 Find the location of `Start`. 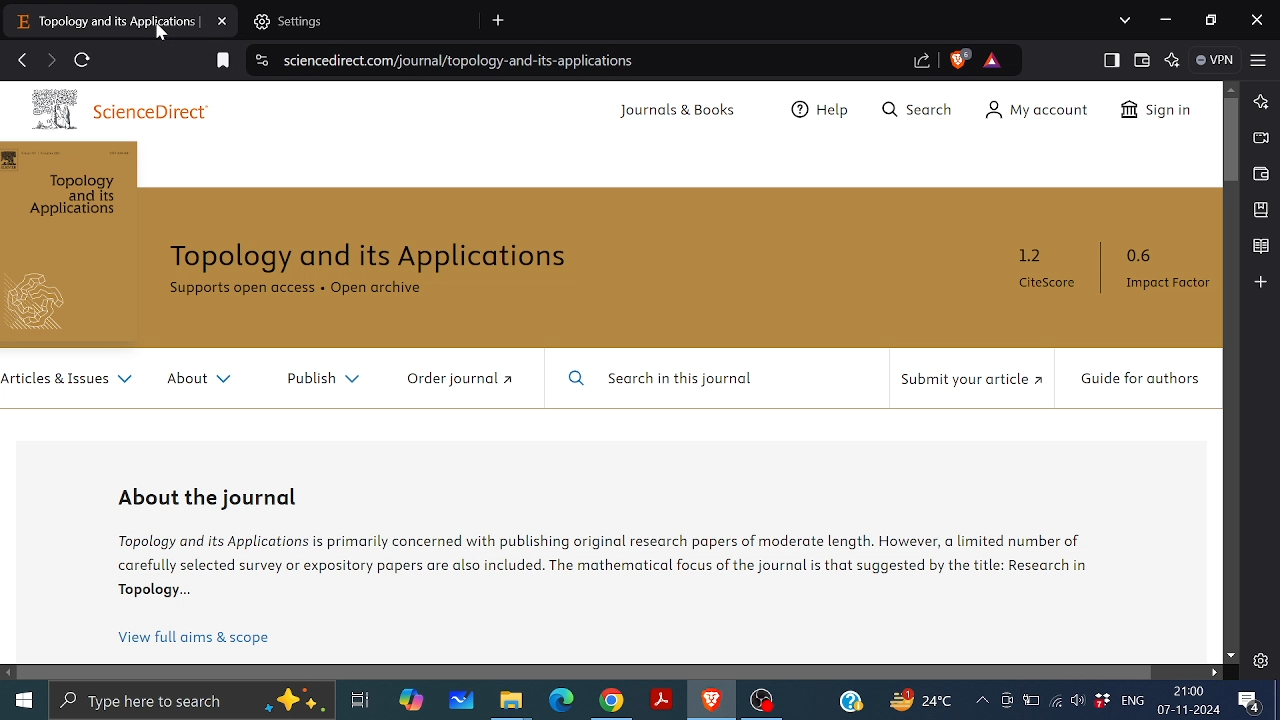

Start is located at coordinates (24, 701).